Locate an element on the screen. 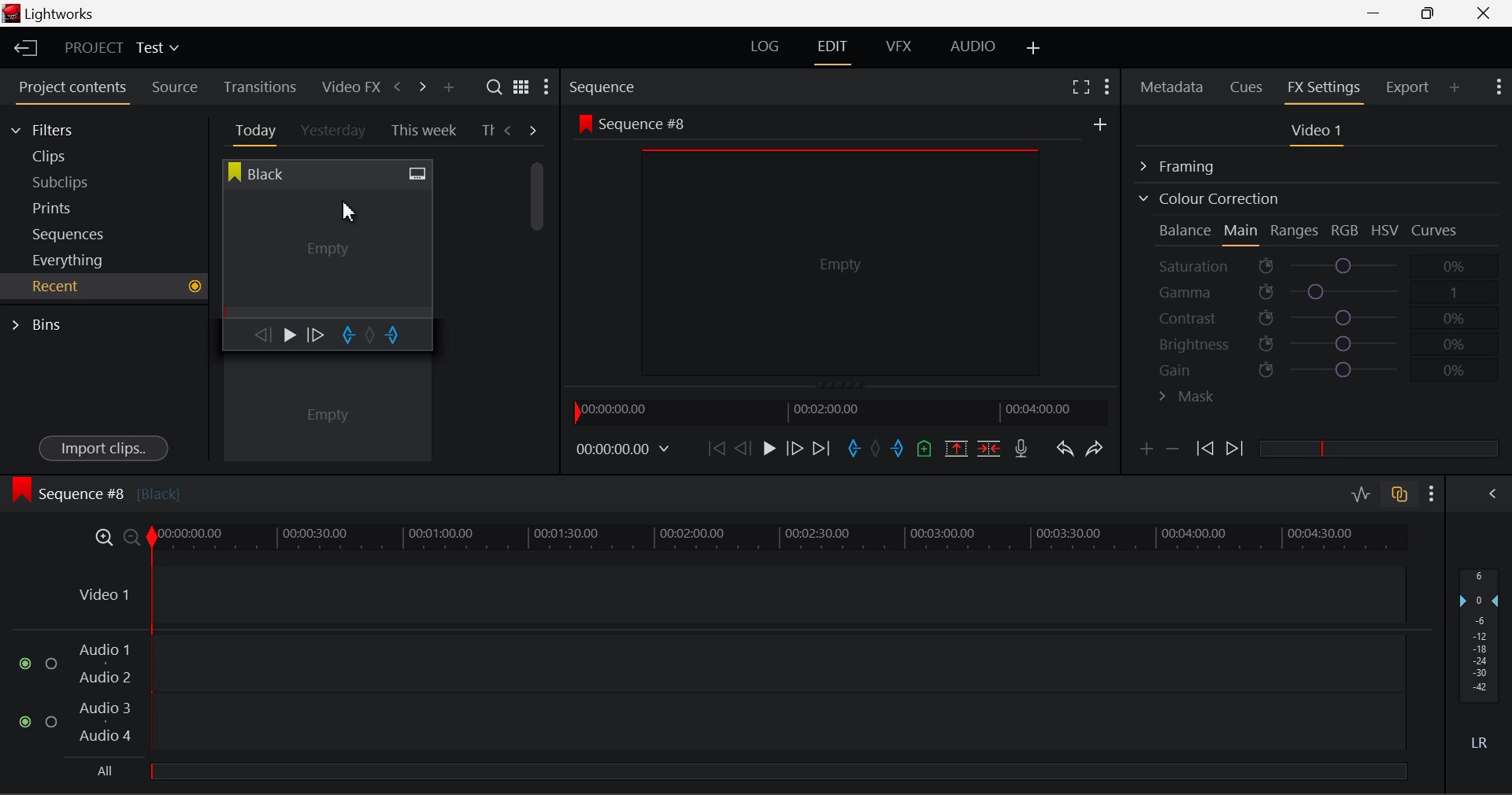 This screenshot has height=795, width=1512. FX Settings Panel Open is located at coordinates (1325, 89).